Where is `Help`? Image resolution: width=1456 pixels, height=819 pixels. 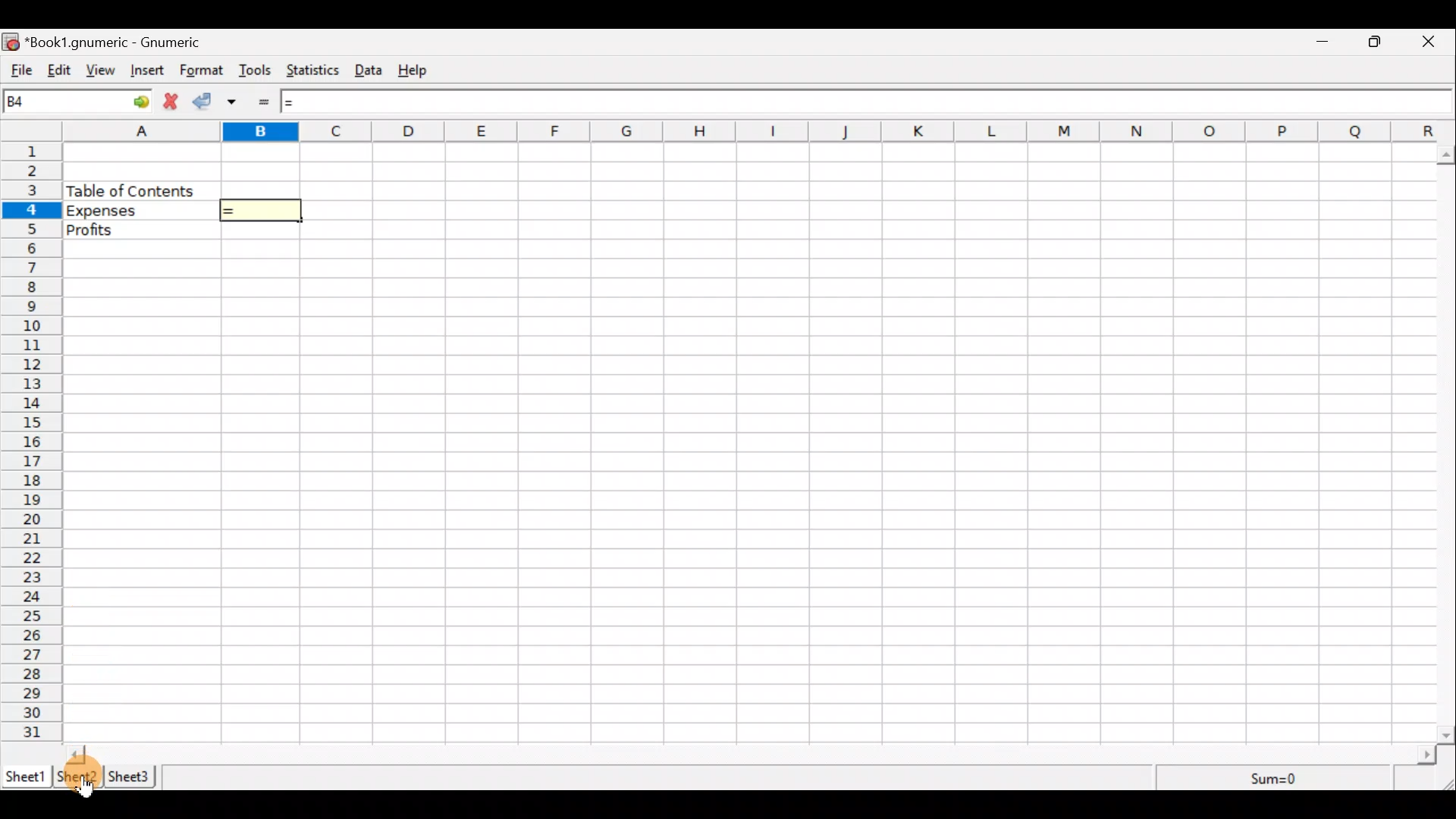
Help is located at coordinates (420, 71).